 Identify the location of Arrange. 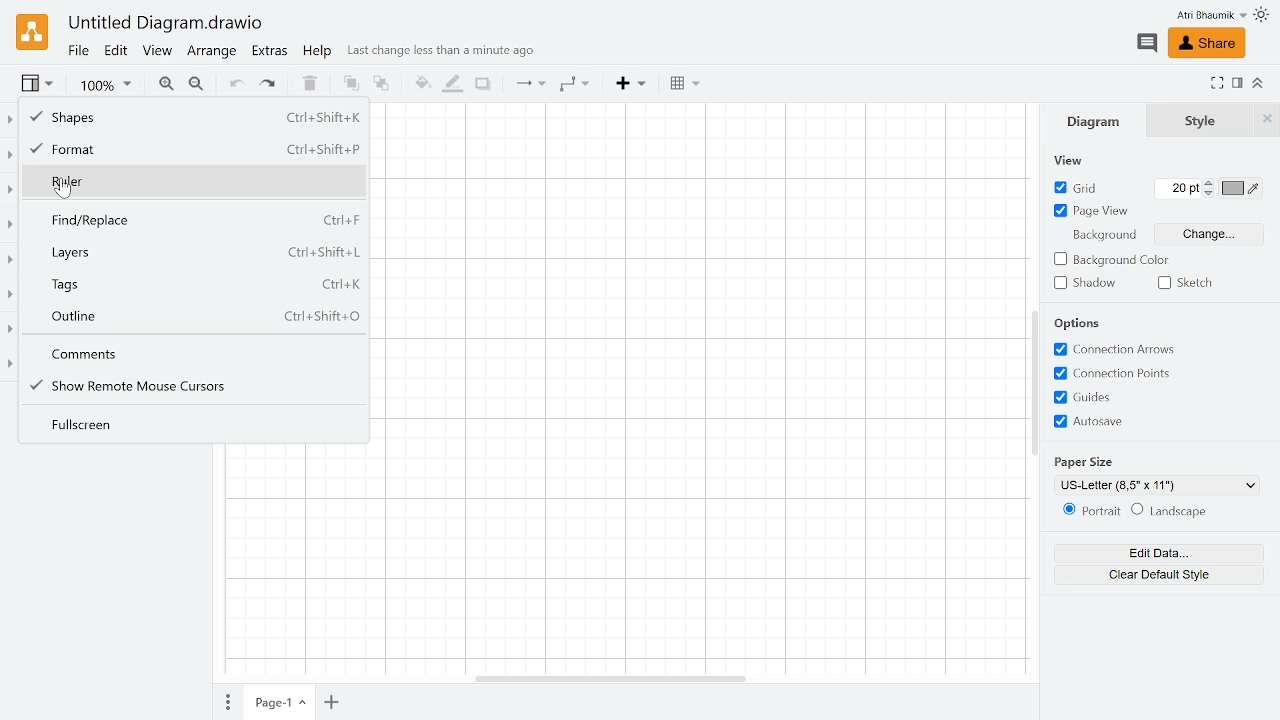
(213, 53).